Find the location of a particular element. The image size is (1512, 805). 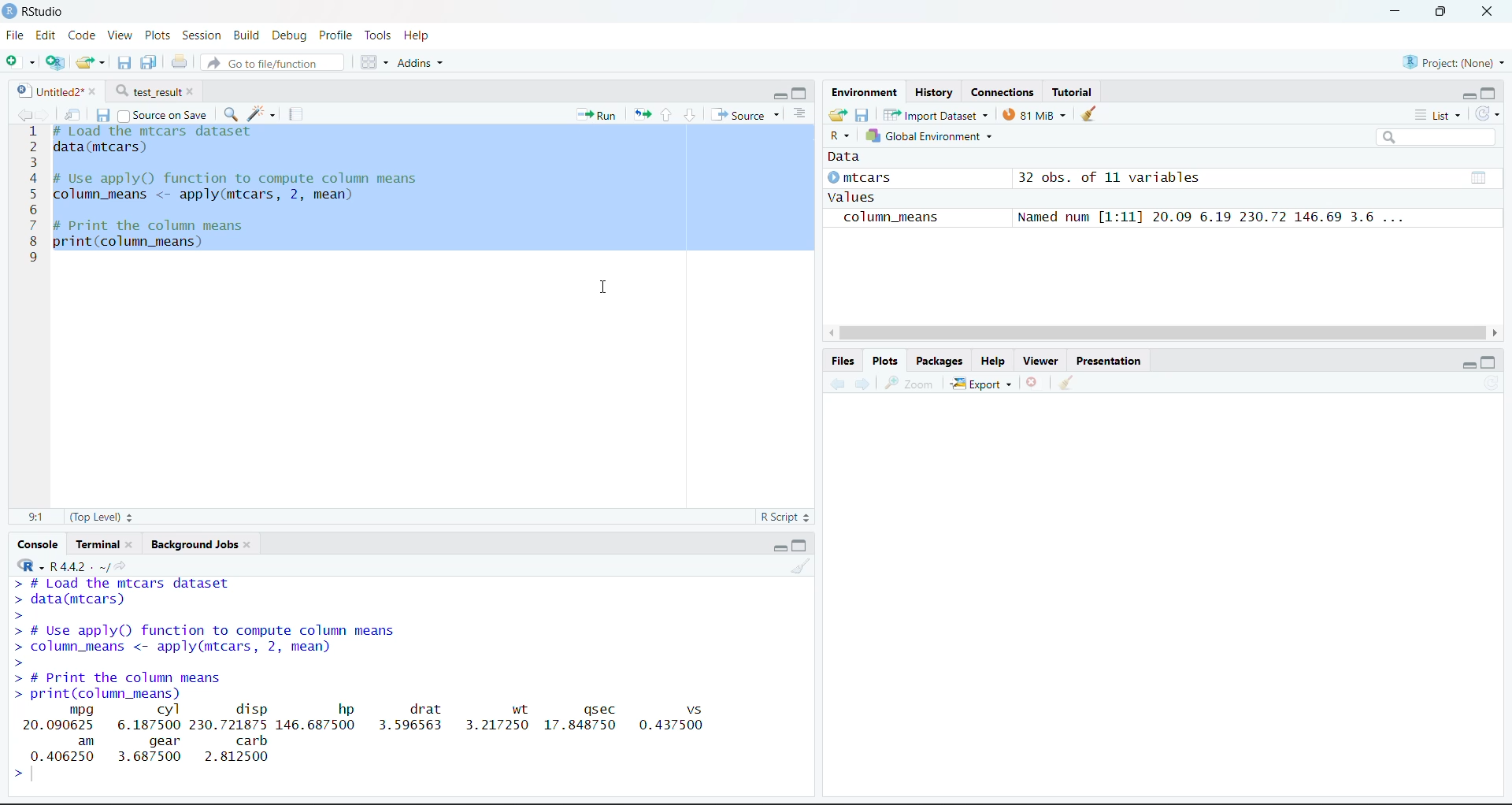

File is located at coordinates (13, 35).